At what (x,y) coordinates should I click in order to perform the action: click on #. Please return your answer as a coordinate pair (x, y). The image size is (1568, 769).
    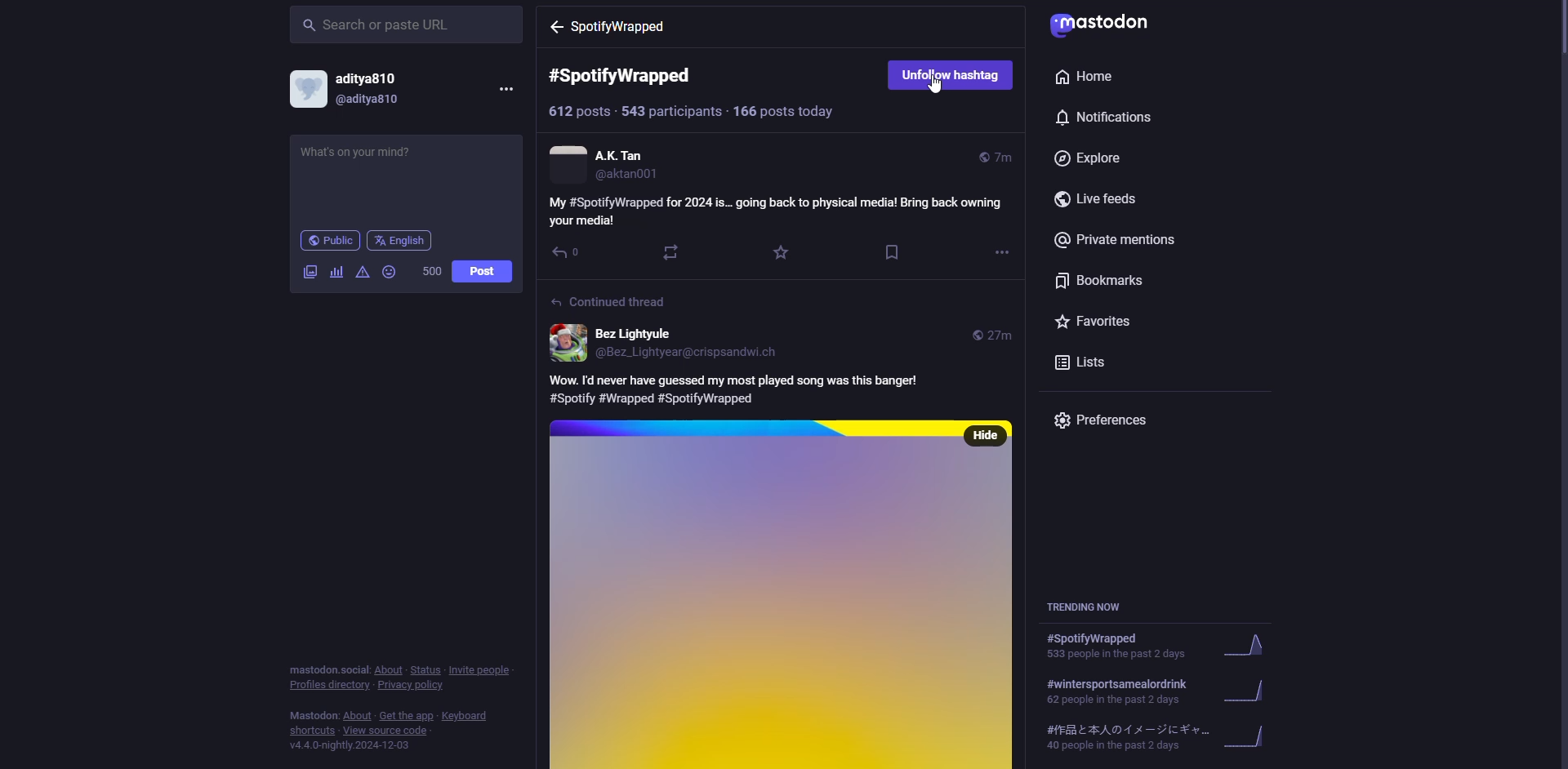
    Looking at the image, I should click on (632, 76).